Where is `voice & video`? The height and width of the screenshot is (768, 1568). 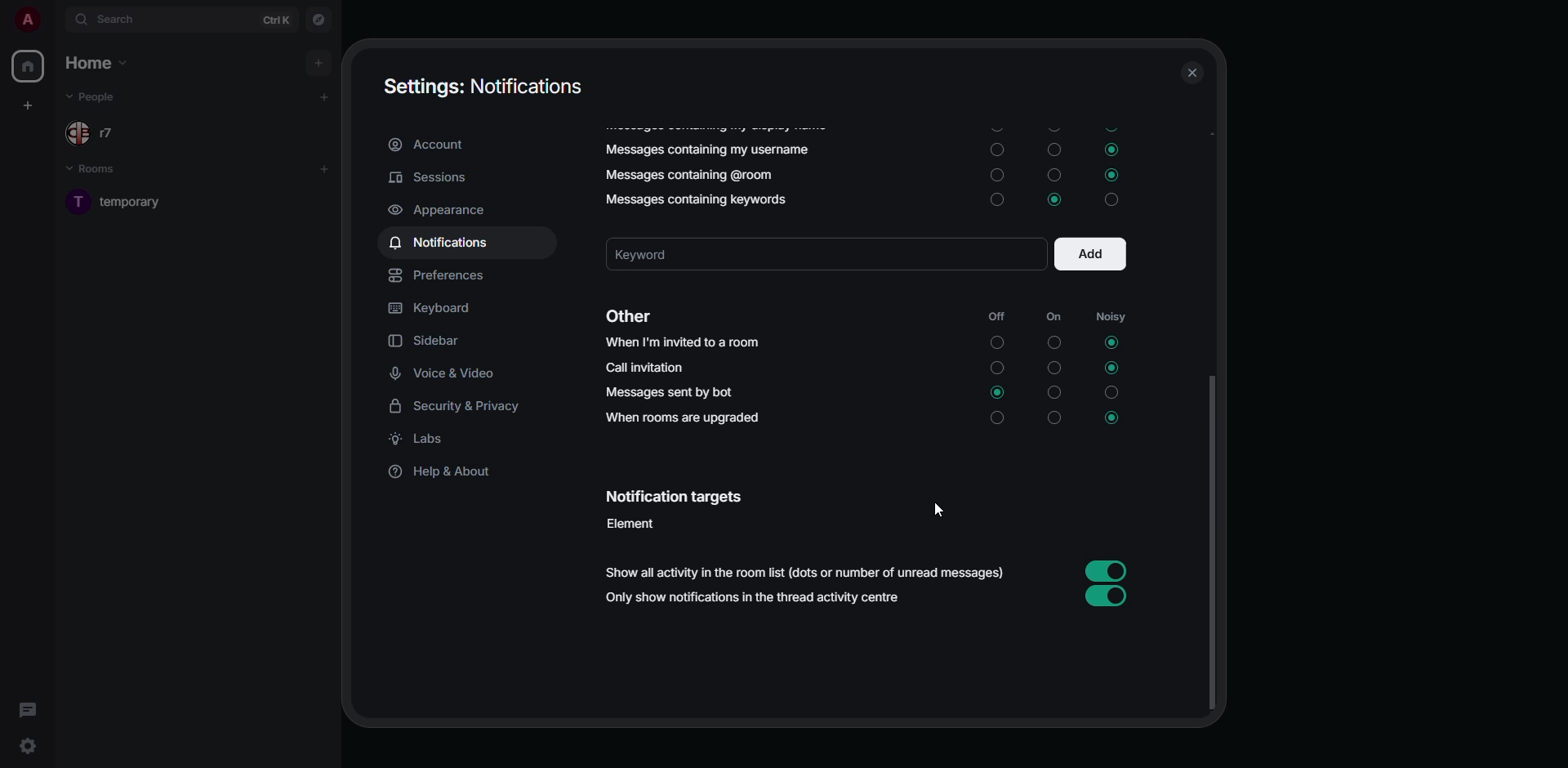 voice & video is located at coordinates (447, 373).